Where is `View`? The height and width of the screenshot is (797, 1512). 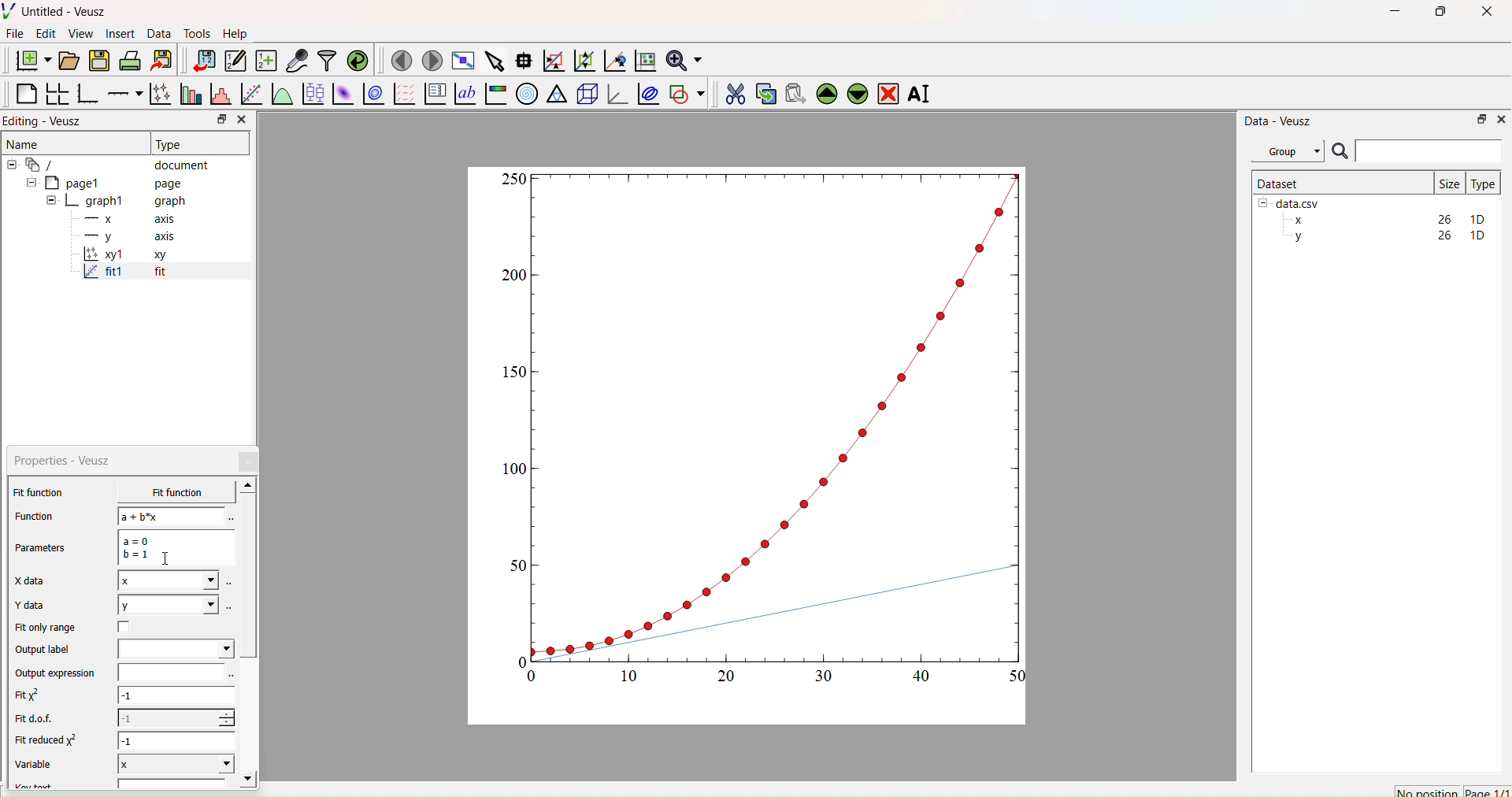
View is located at coordinates (80, 32).